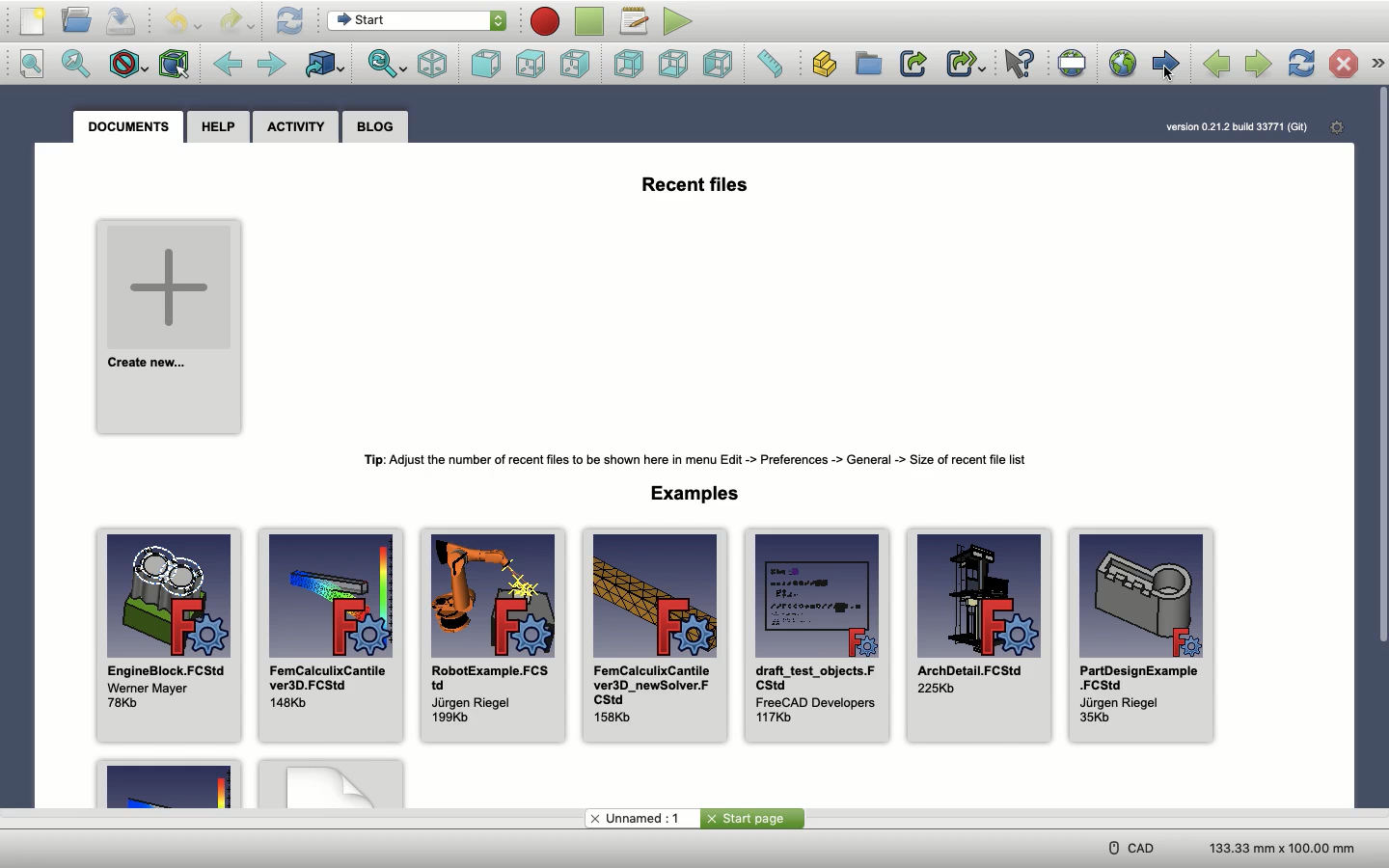 Image resolution: width=1389 pixels, height=868 pixels. Describe the element at coordinates (127, 64) in the screenshot. I see `Draw style` at that location.